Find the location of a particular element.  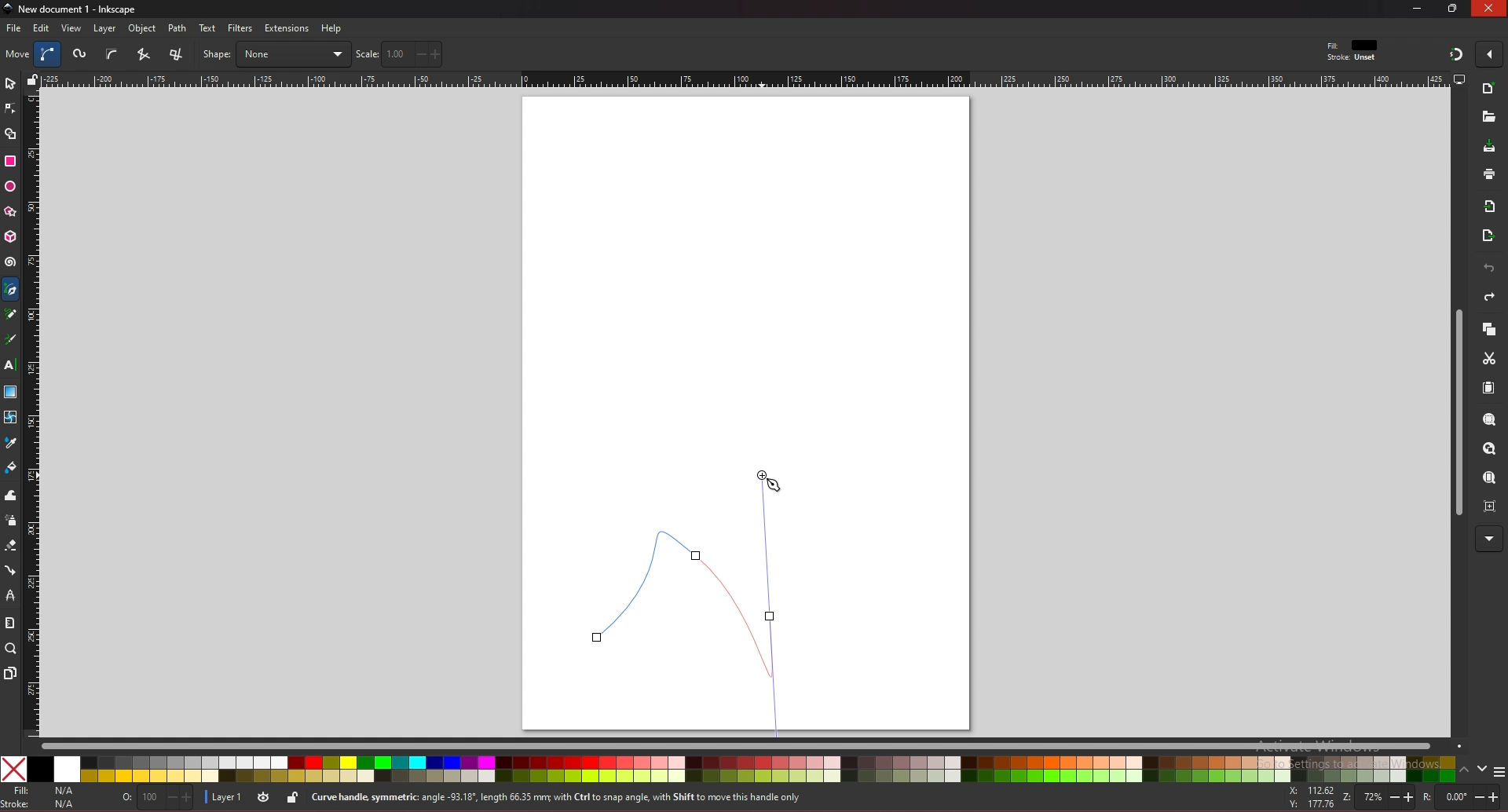

text is located at coordinates (9, 365).